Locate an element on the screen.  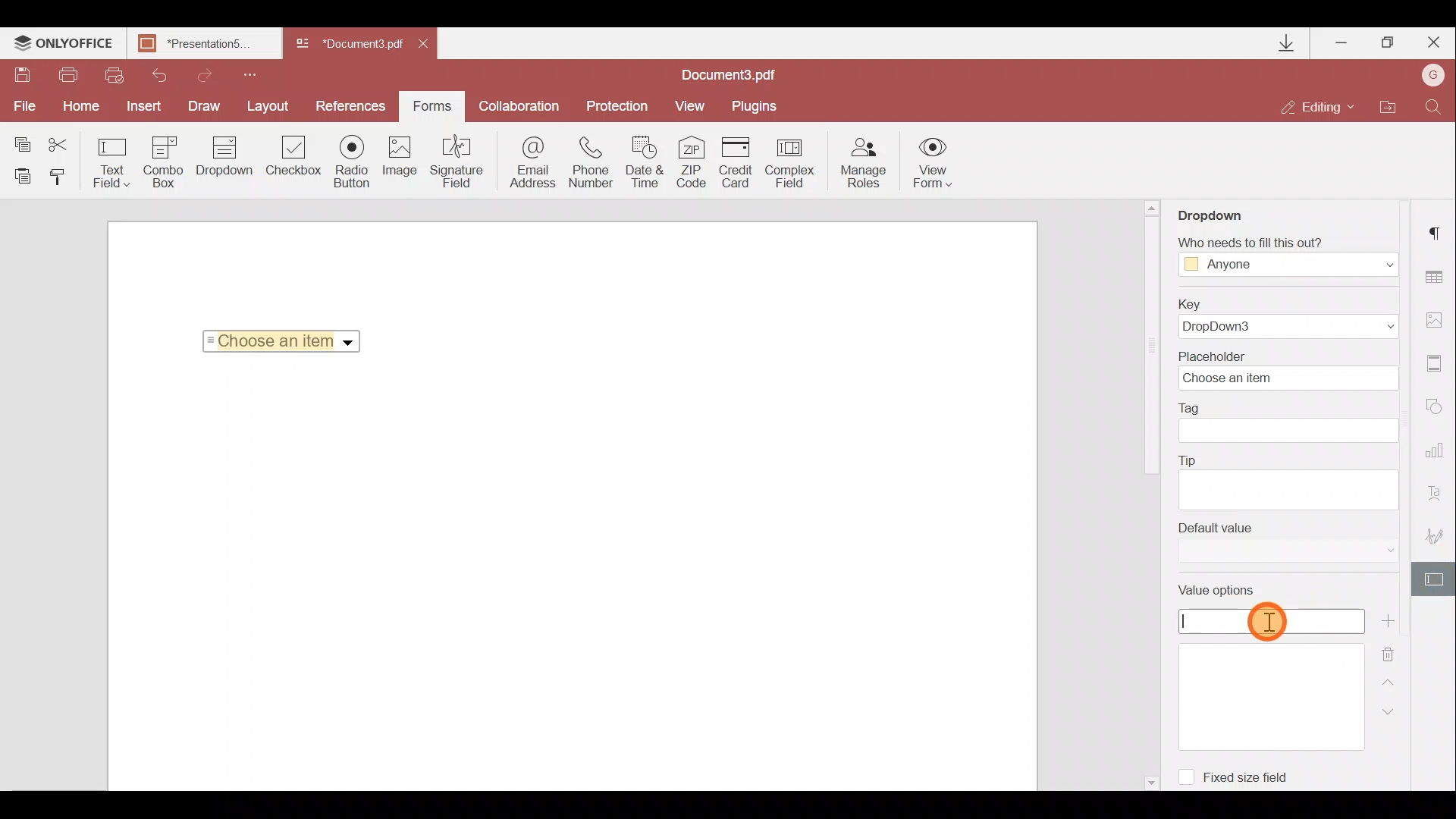
Undo is located at coordinates (158, 76).